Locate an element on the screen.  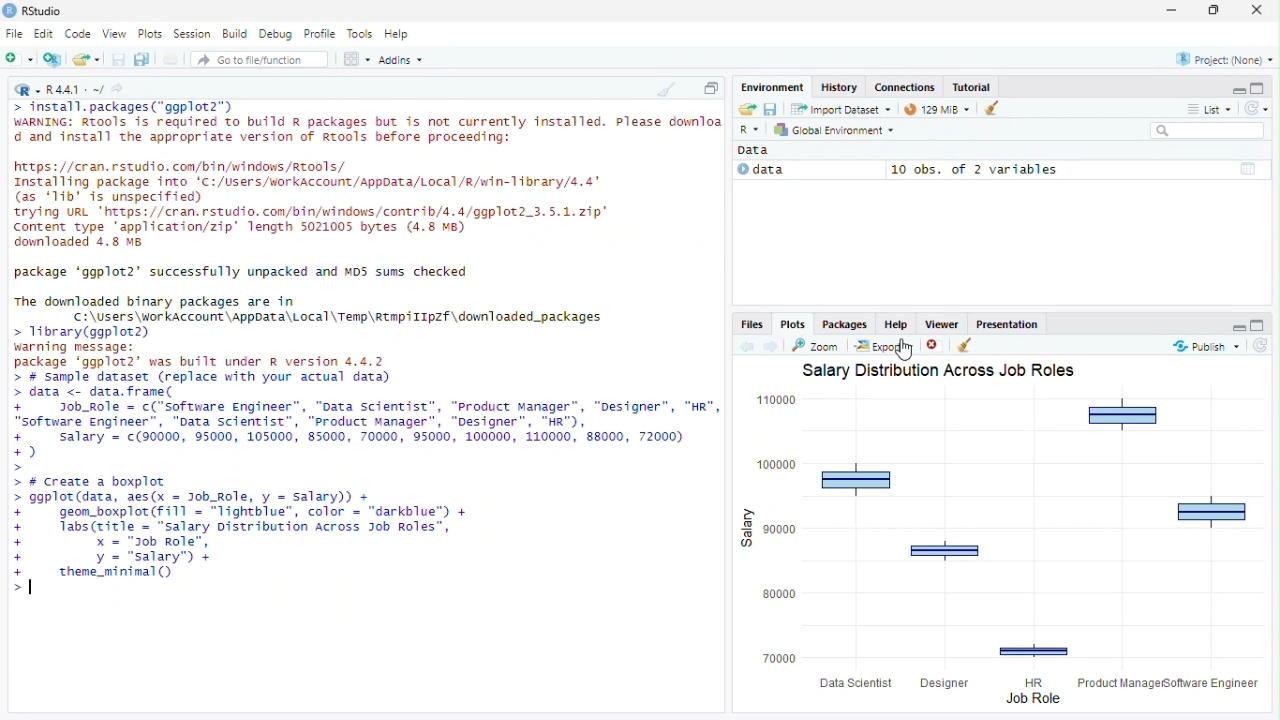
Build is located at coordinates (234, 35).